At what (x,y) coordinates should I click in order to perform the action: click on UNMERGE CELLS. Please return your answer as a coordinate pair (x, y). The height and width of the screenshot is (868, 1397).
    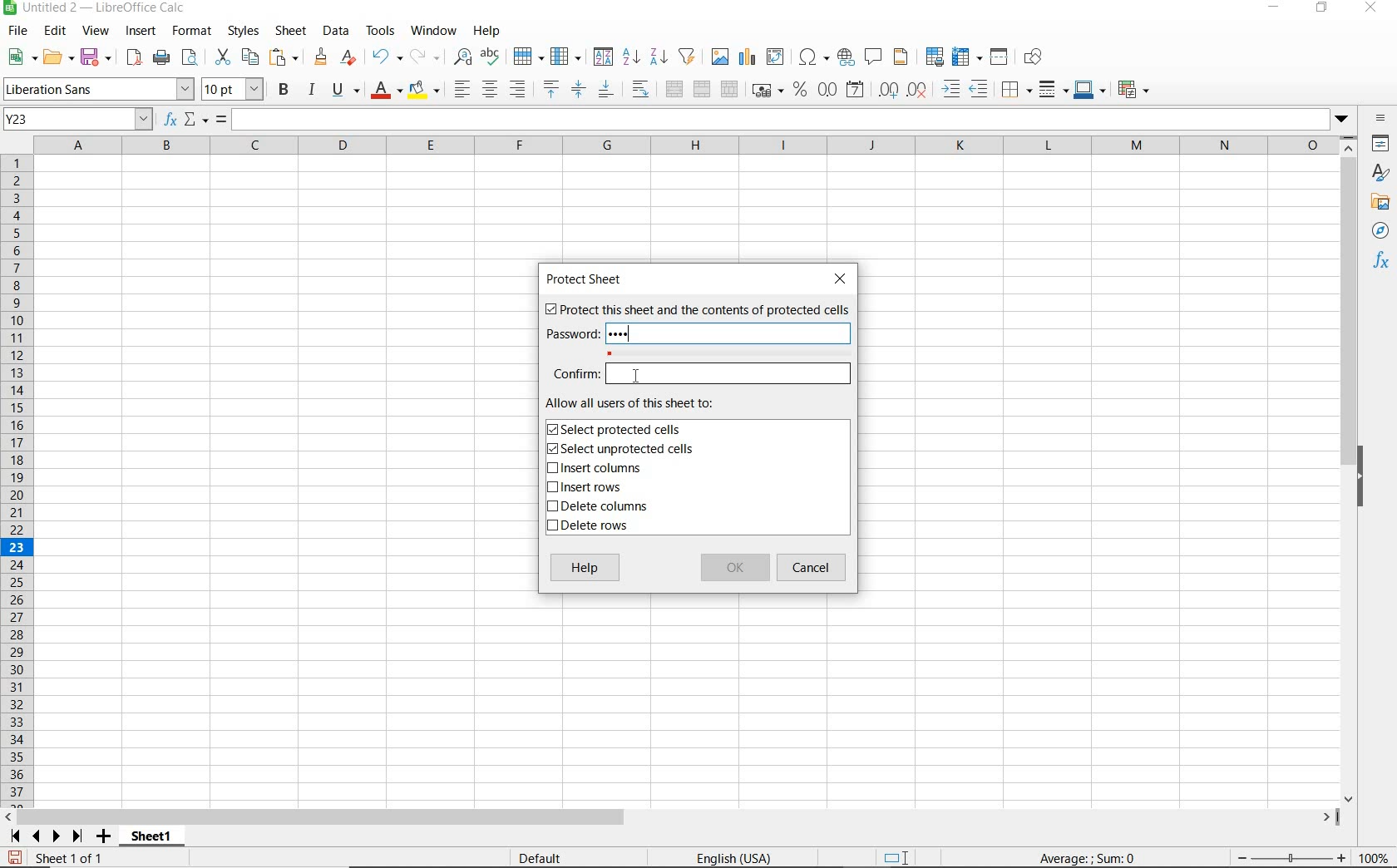
    Looking at the image, I should click on (729, 90).